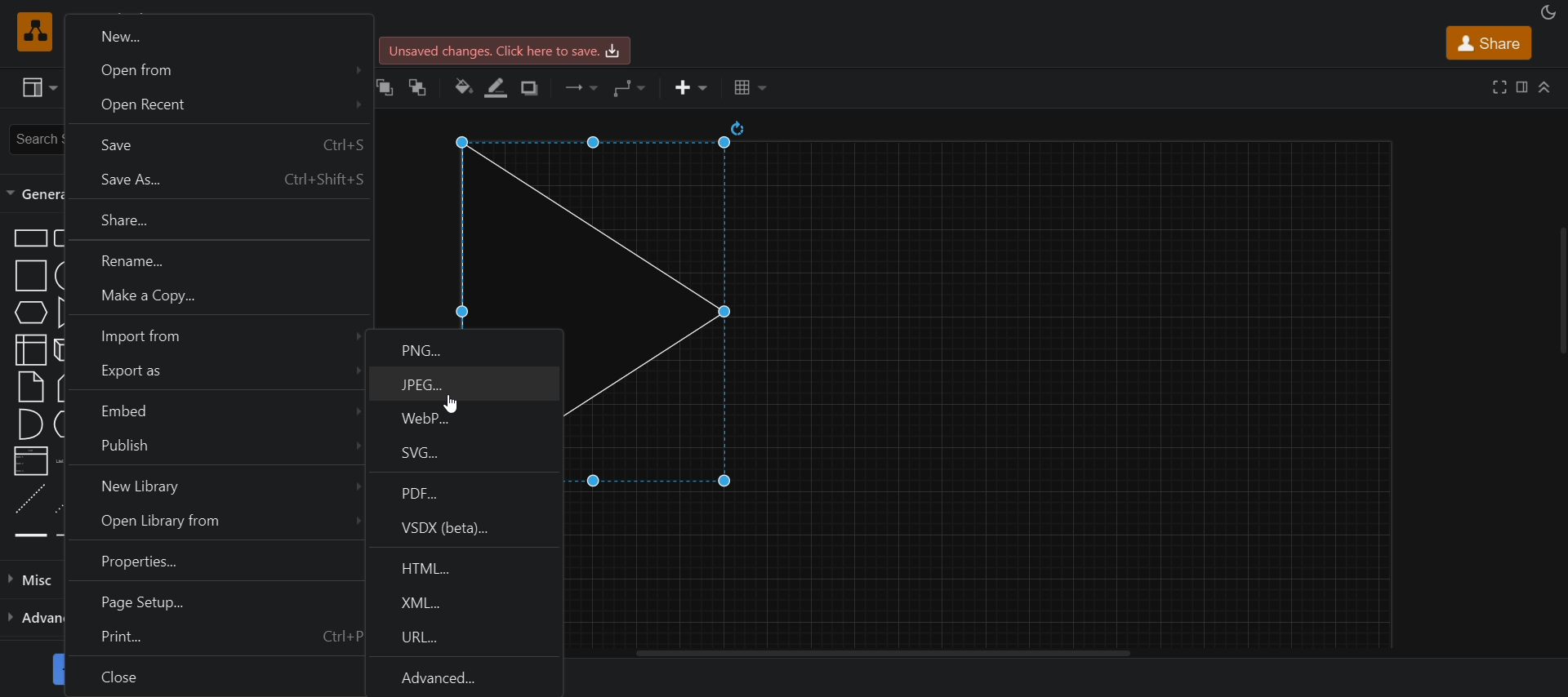 The image size is (1568, 697). I want to click on line color, so click(498, 87).